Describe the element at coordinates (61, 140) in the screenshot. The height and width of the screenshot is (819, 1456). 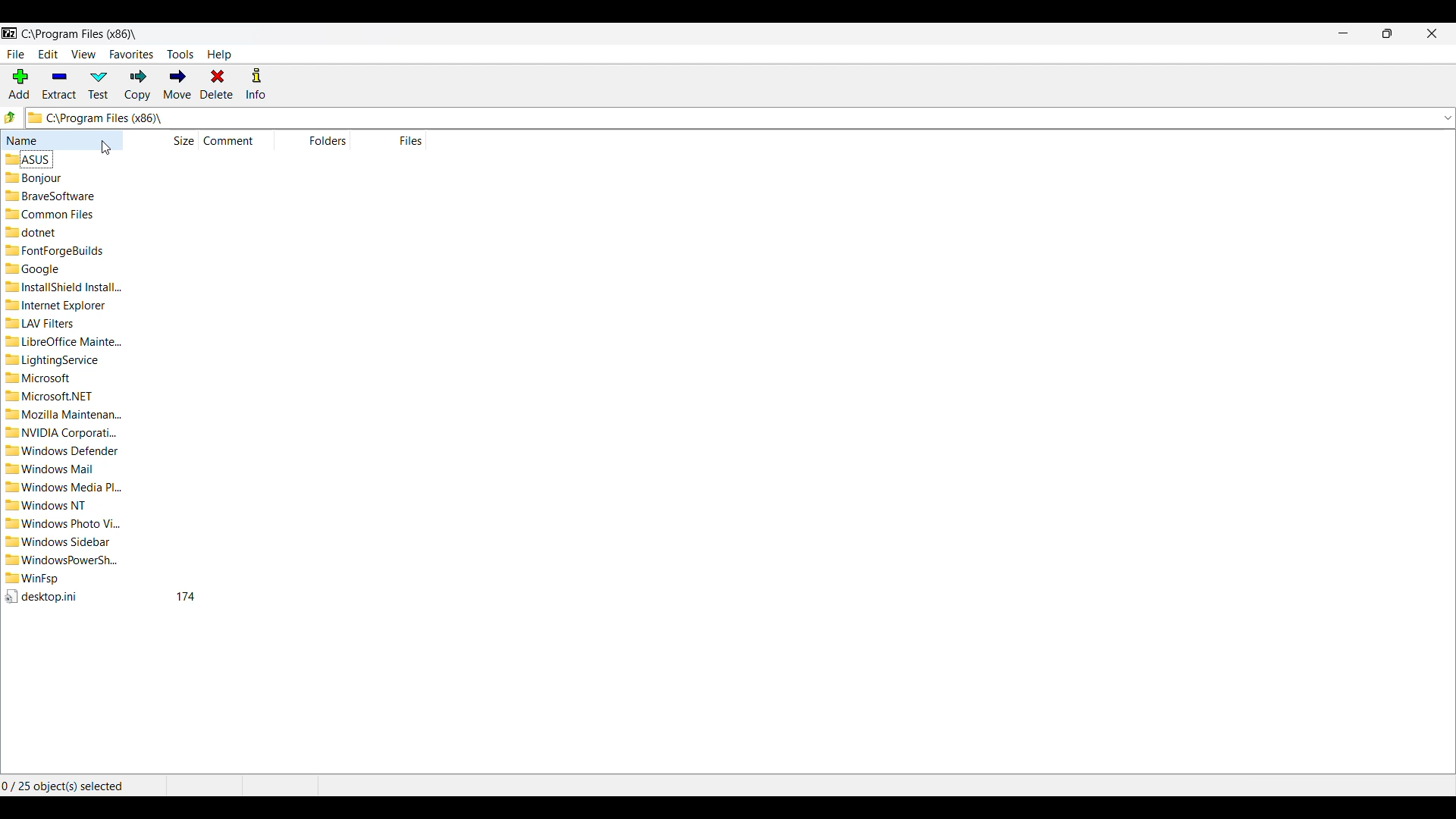
I see `Name column highlighted by cursor` at that location.